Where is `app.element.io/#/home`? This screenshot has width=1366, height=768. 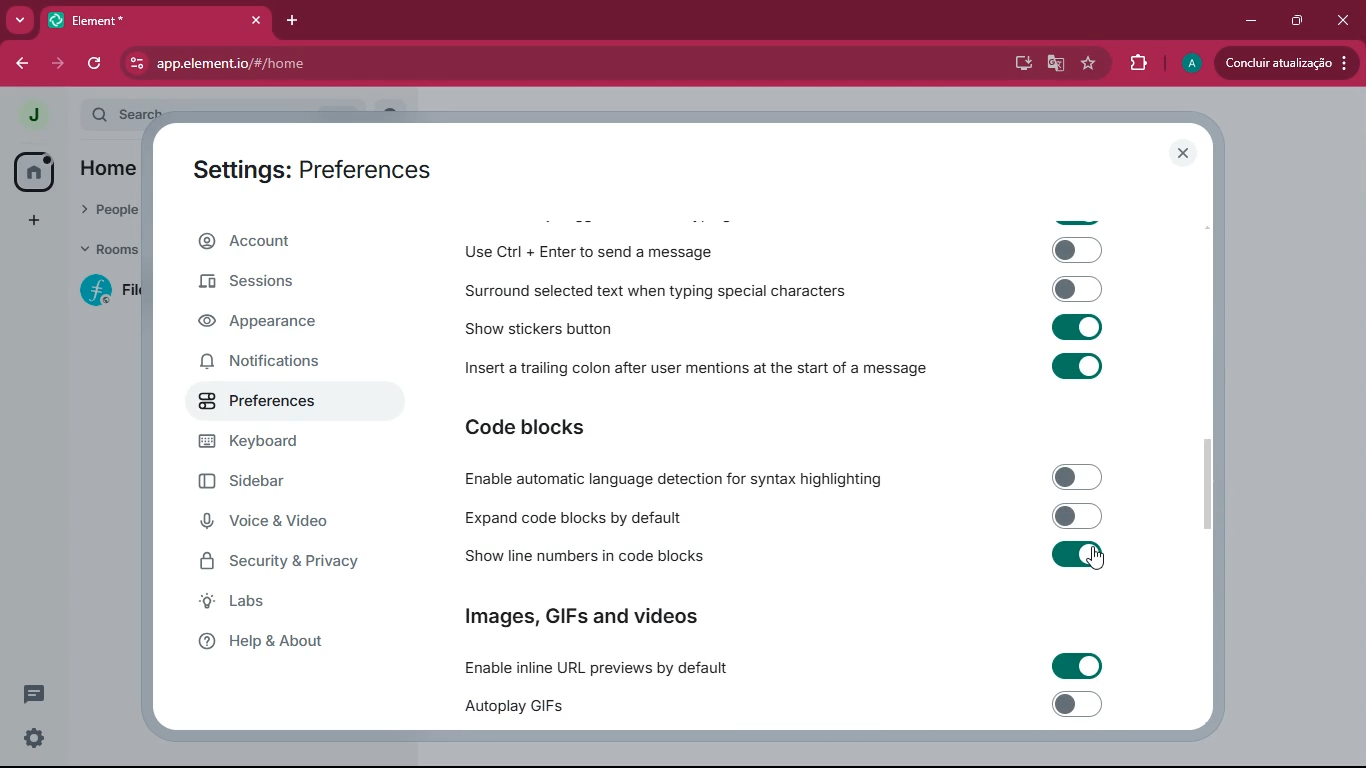 app.element.io/#/home is located at coordinates (323, 63).